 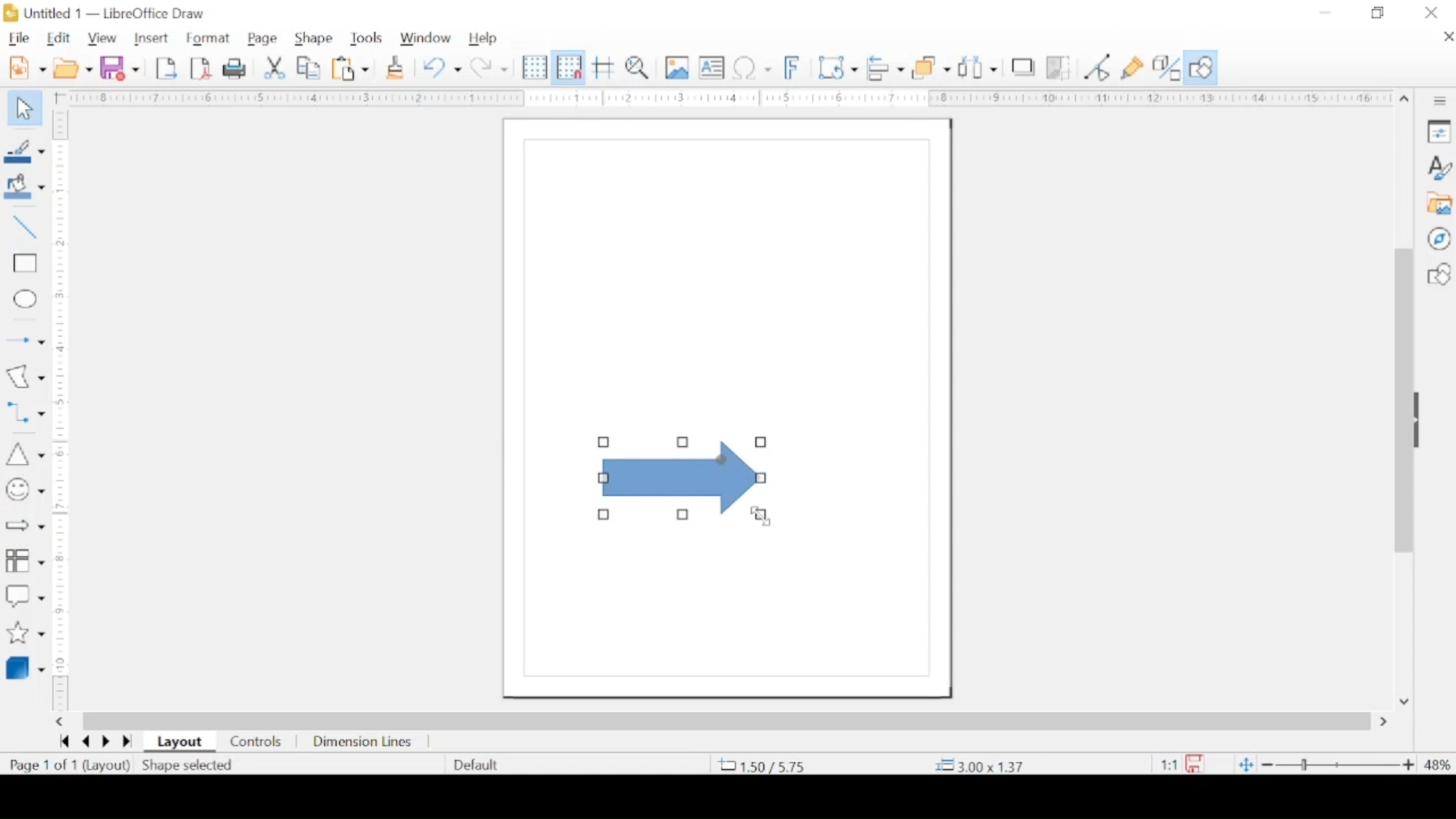 What do you see at coordinates (1202, 67) in the screenshot?
I see `show draw functions` at bounding box center [1202, 67].